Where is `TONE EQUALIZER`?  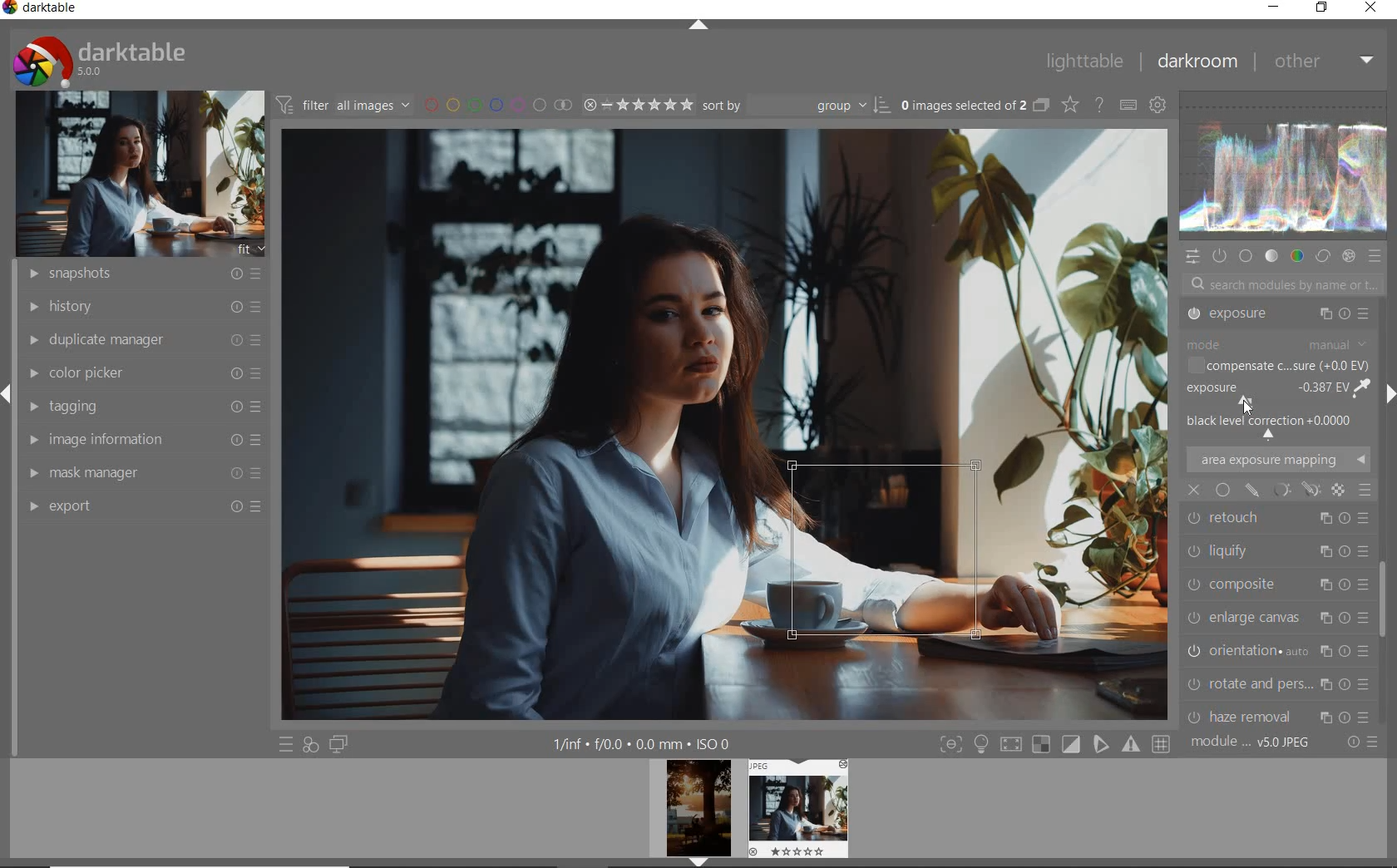
TONE EQUALIZER is located at coordinates (1276, 353).